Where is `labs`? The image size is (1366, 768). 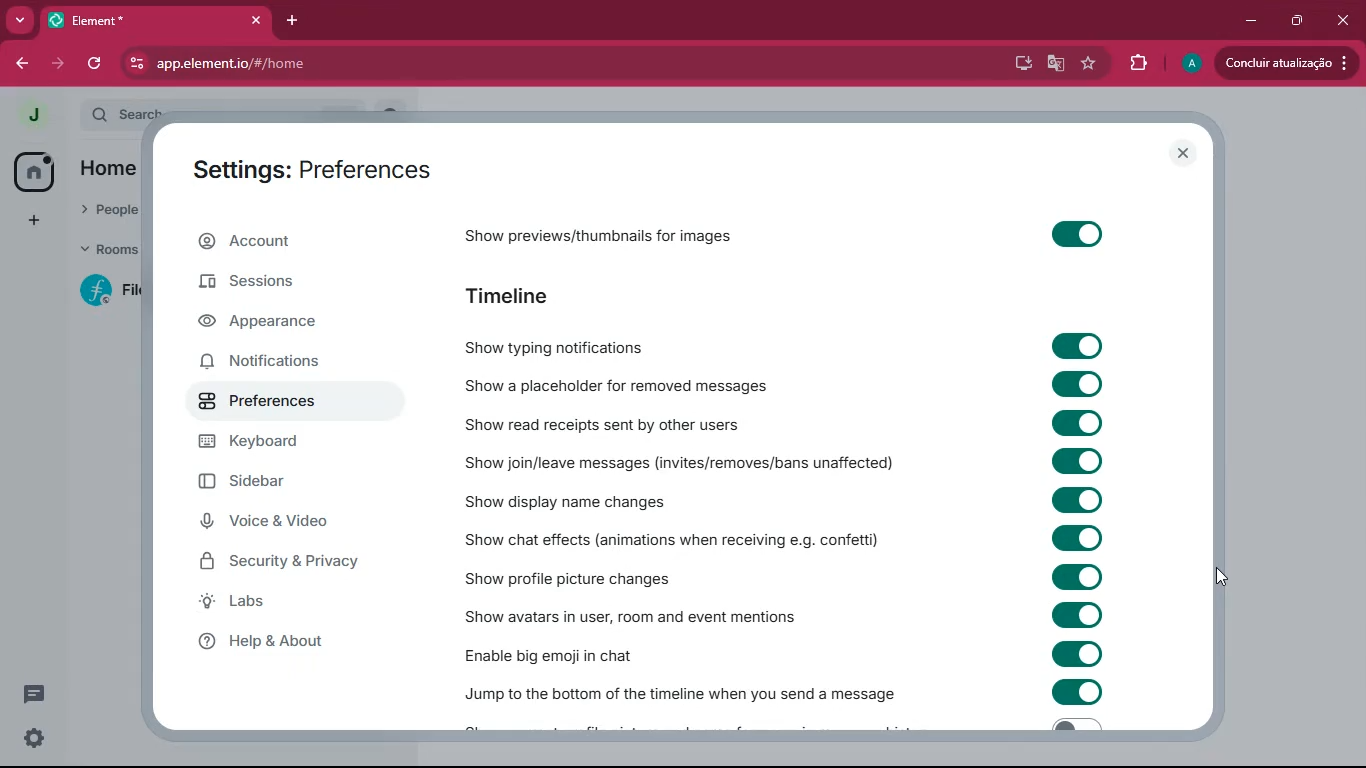
labs is located at coordinates (304, 606).